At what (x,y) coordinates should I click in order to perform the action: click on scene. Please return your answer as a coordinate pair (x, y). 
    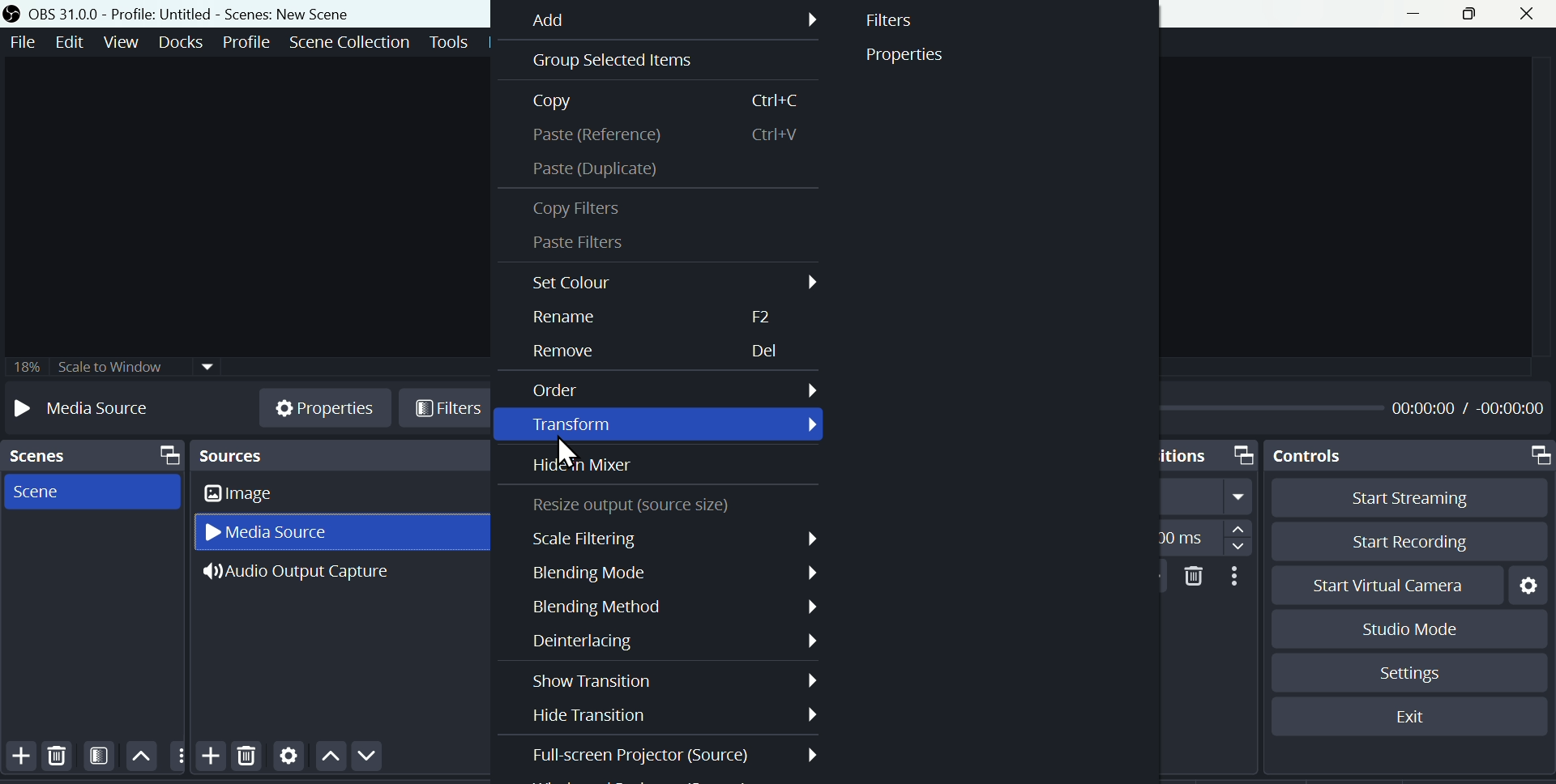
    Looking at the image, I should click on (47, 490).